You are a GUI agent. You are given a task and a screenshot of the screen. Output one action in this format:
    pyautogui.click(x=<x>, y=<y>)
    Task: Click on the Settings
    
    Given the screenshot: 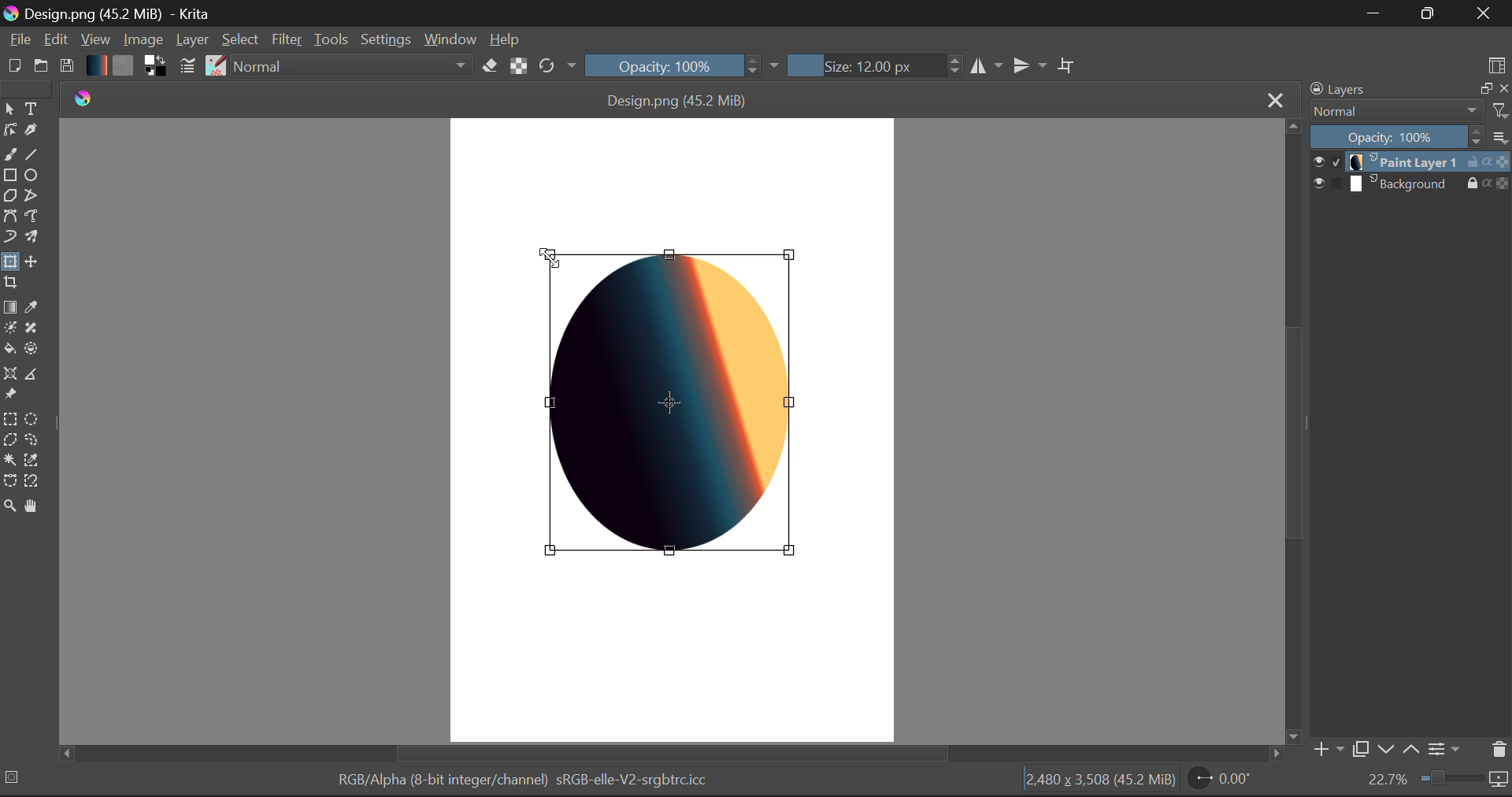 What is the action you would take?
    pyautogui.click(x=1447, y=751)
    